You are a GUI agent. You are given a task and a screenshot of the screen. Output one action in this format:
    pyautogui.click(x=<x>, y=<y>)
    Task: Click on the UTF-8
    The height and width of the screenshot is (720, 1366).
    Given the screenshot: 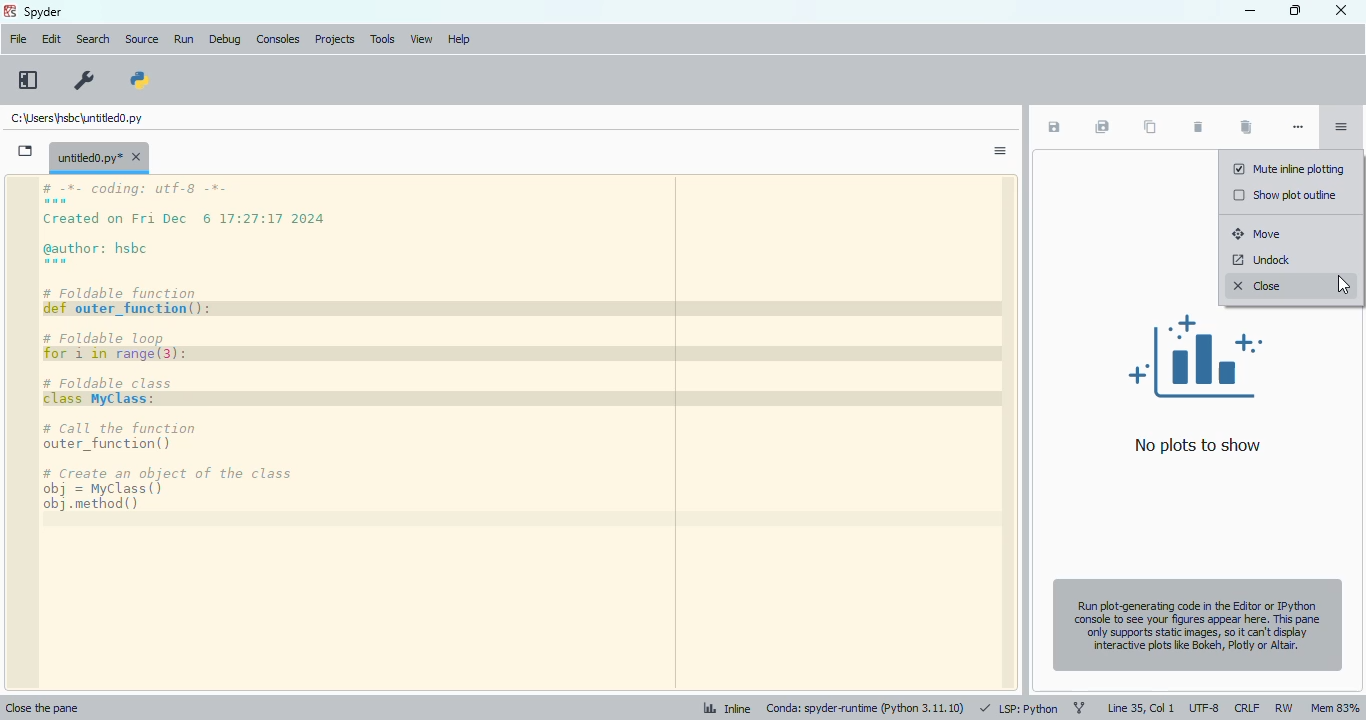 What is the action you would take?
    pyautogui.click(x=1203, y=705)
    